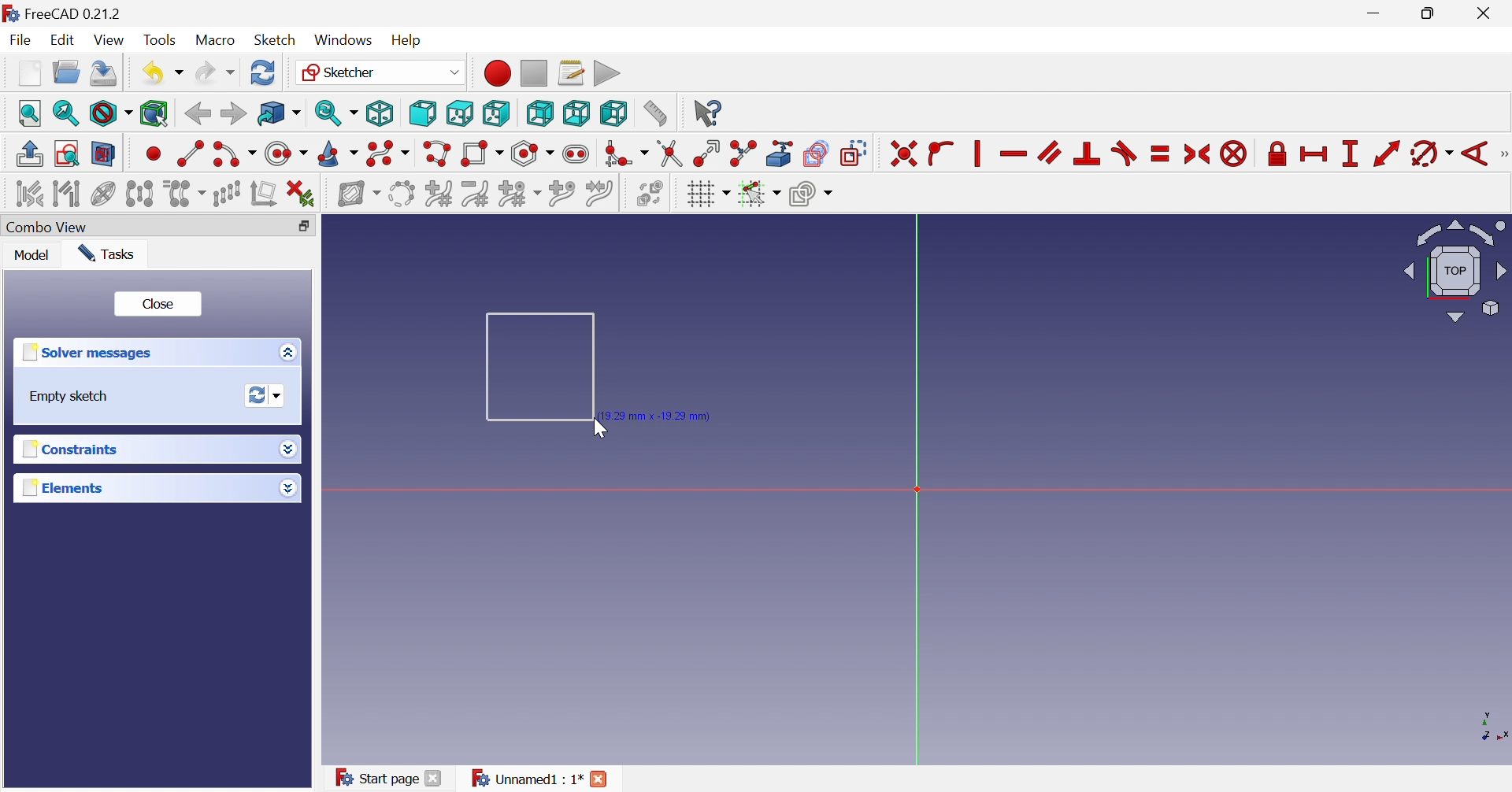 This screenshot has width=1512, height=792. Describe the element at coordinates (1049, 152) in the screenshot. I see `Constrain parallel` at that location.